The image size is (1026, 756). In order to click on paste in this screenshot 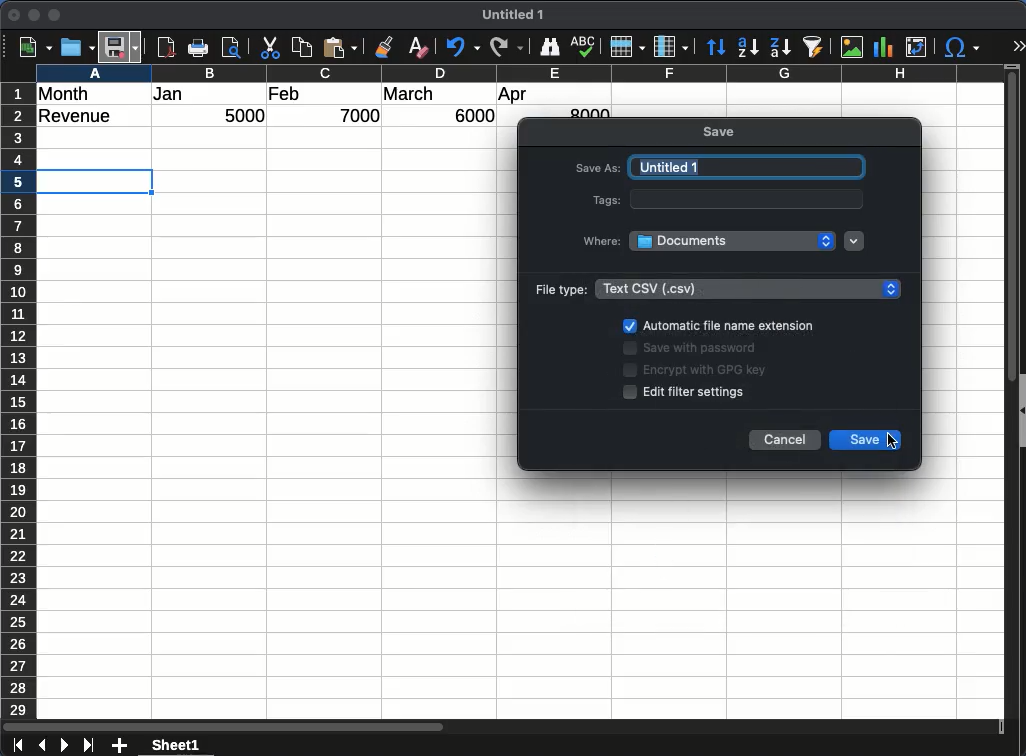, I will do `click(342, 48)`.